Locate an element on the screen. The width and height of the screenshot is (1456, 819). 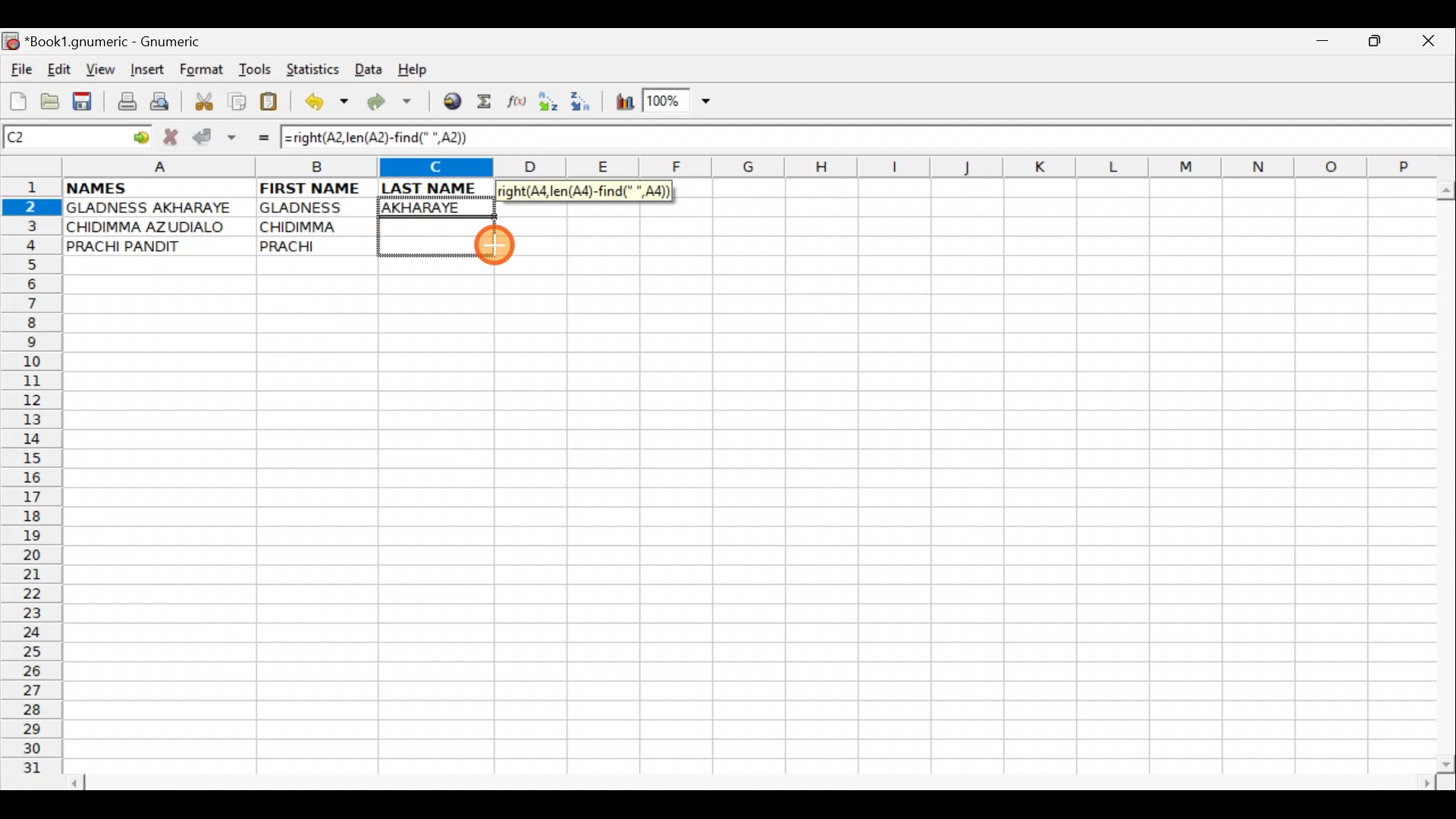
Formula bar is located at coordinates (969, 139).